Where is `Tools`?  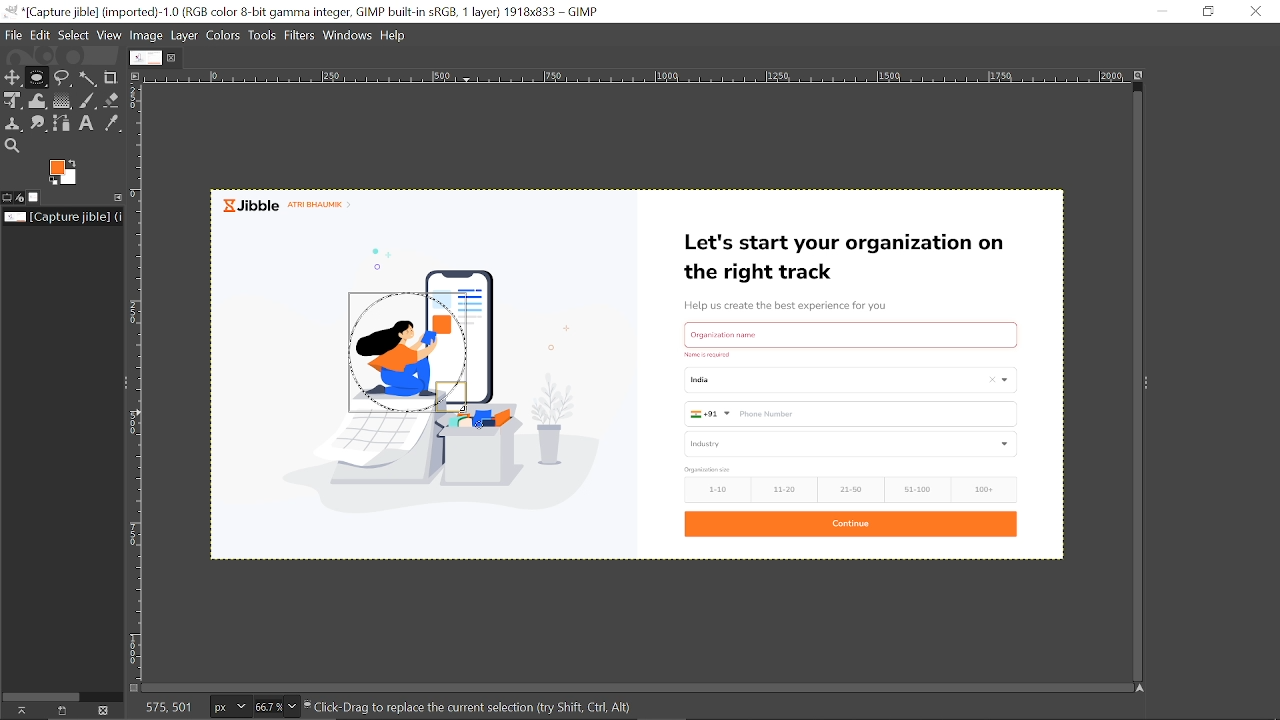
Tools is located at coordinates (264, 35).